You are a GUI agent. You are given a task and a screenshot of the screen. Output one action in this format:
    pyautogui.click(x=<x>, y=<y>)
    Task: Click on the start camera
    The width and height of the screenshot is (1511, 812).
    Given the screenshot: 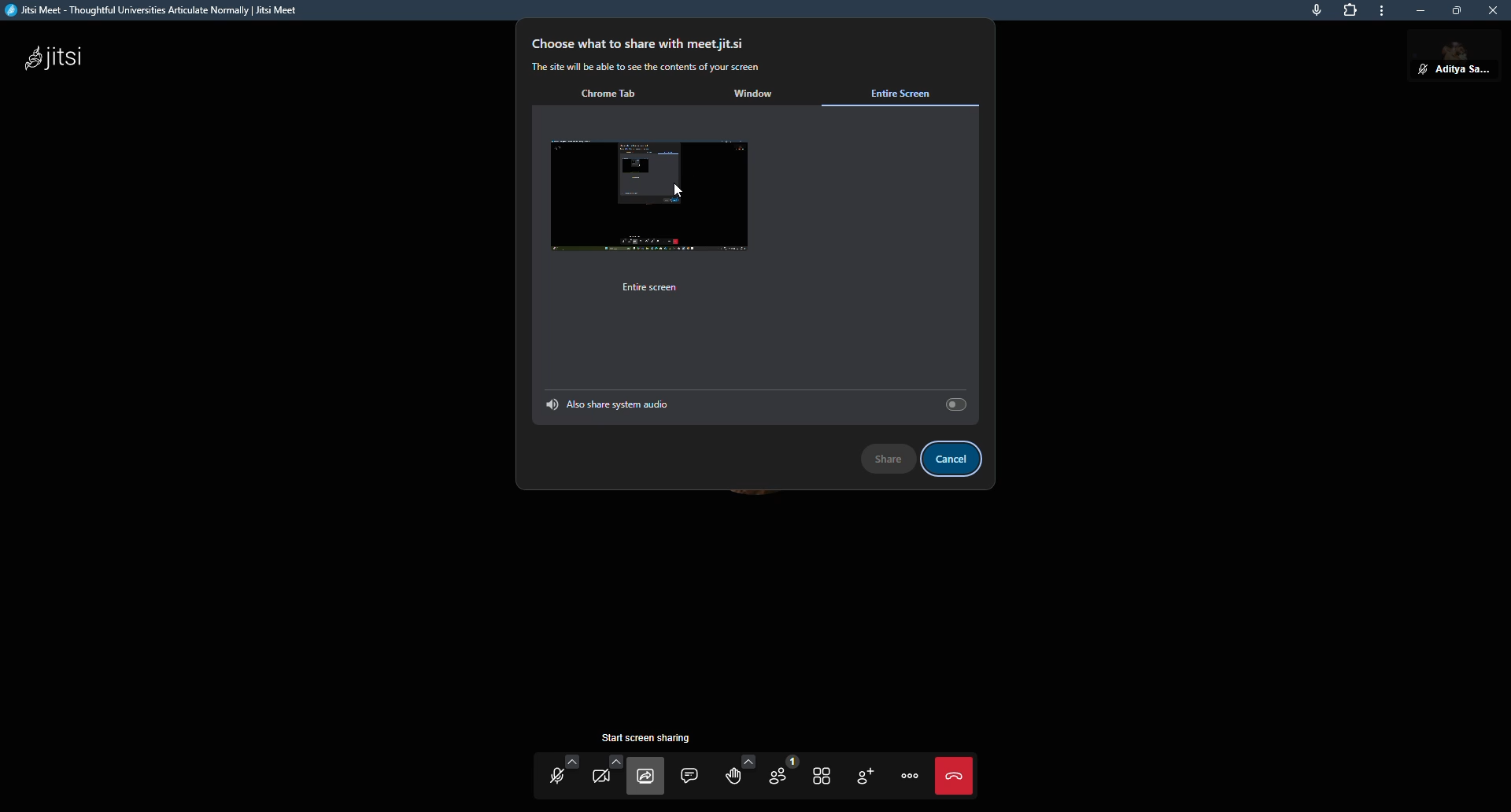 What is the action you would take?
    pyautogui.click(x=602, y=773)
    